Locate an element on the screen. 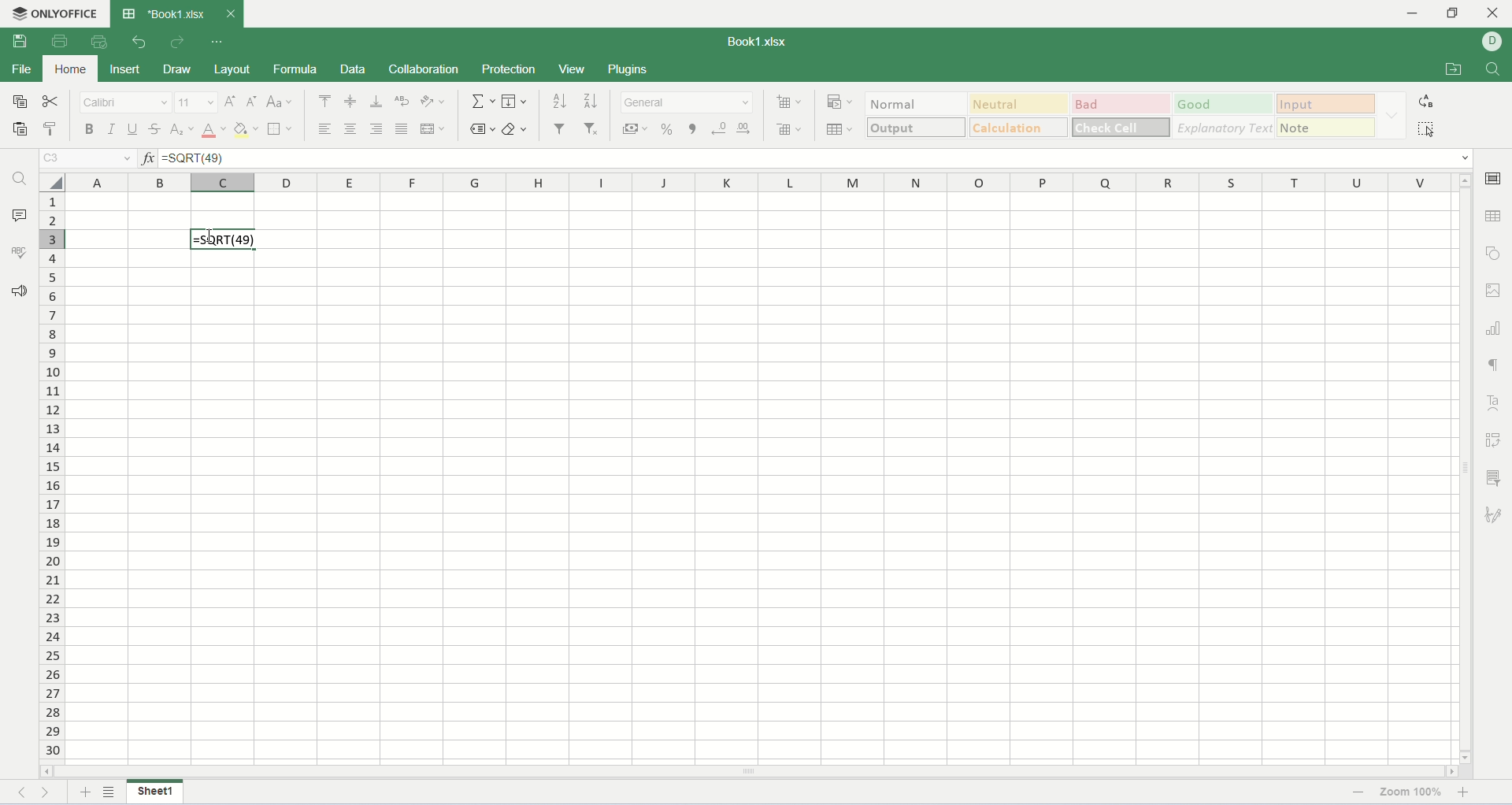  home is located at coordinates (68, 69).